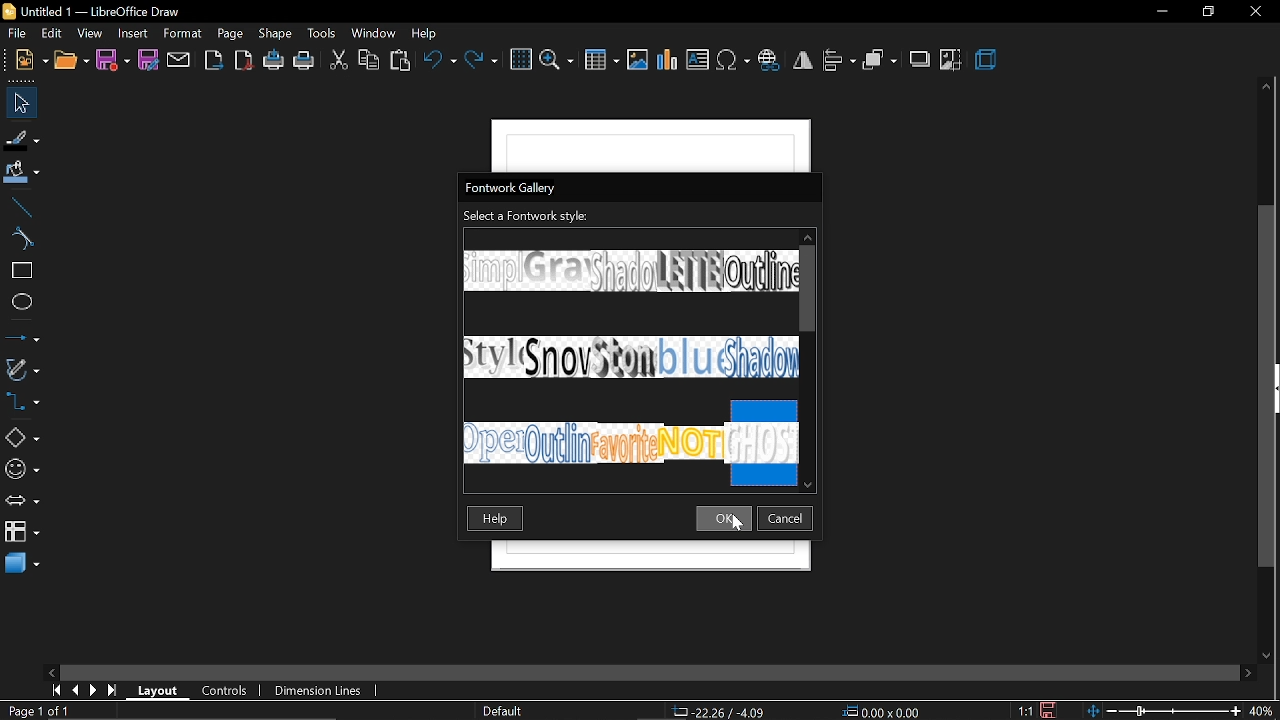 The width and height of the screenshot is (1280, 720). Describe the element at coordinates (726, 517) in the screenshot. I see `ok` at that location.